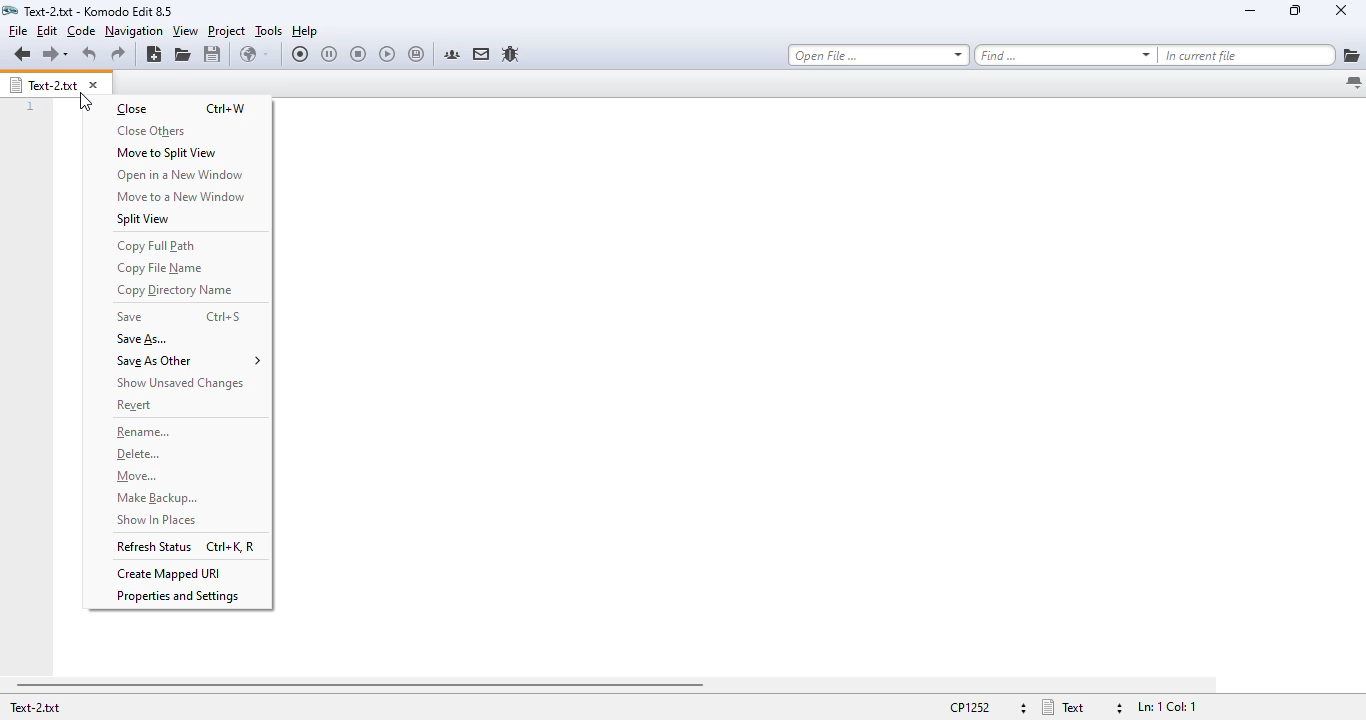 The image size is (1366, 720). Describe the element at coordinates (255, 54) in the screenshot. I see `preview buffer in browser` at that location.